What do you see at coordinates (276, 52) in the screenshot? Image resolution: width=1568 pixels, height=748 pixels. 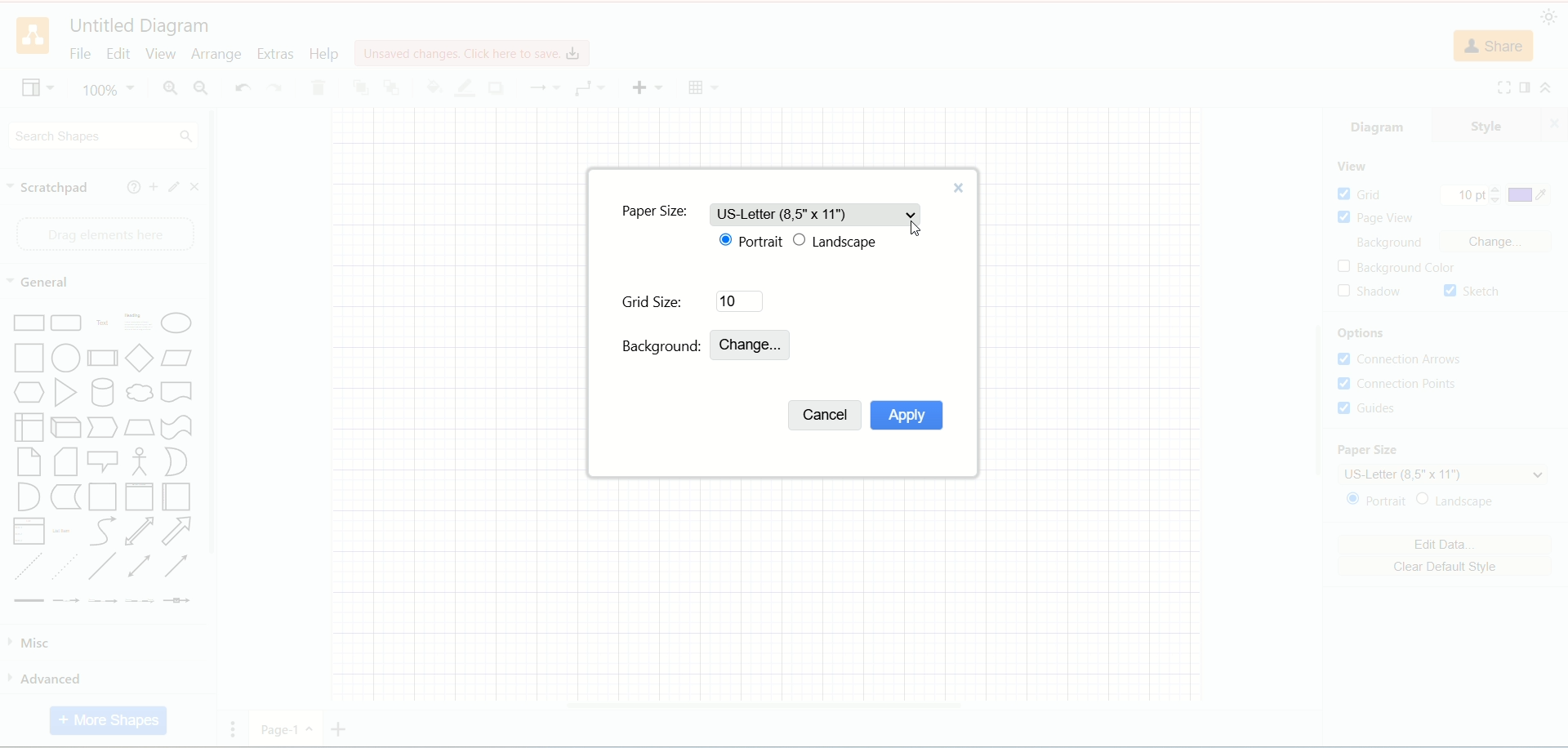 I see `extras` at bounding box center [276, 52].